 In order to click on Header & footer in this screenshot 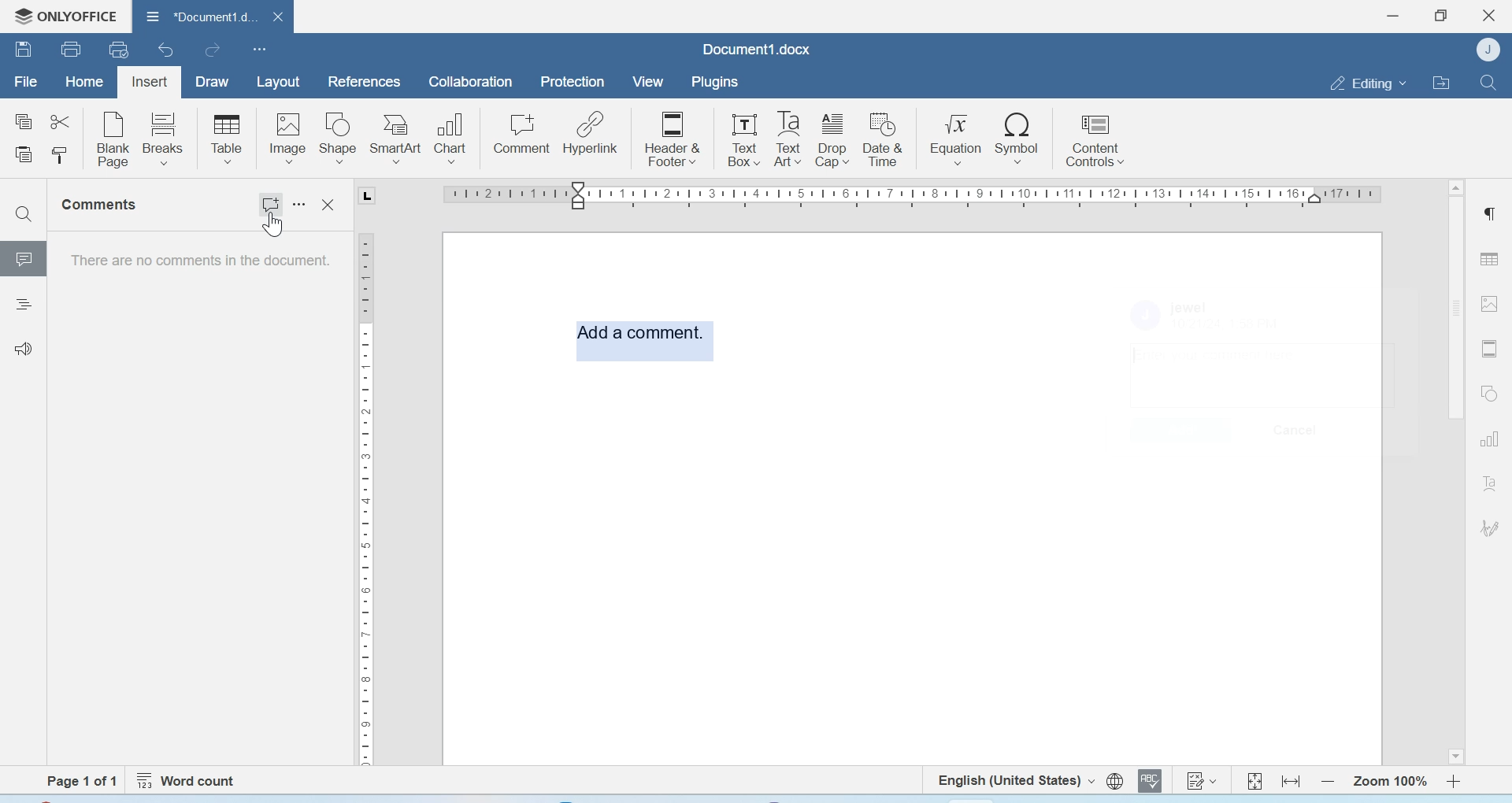, I will do `click(1490, 349)`.